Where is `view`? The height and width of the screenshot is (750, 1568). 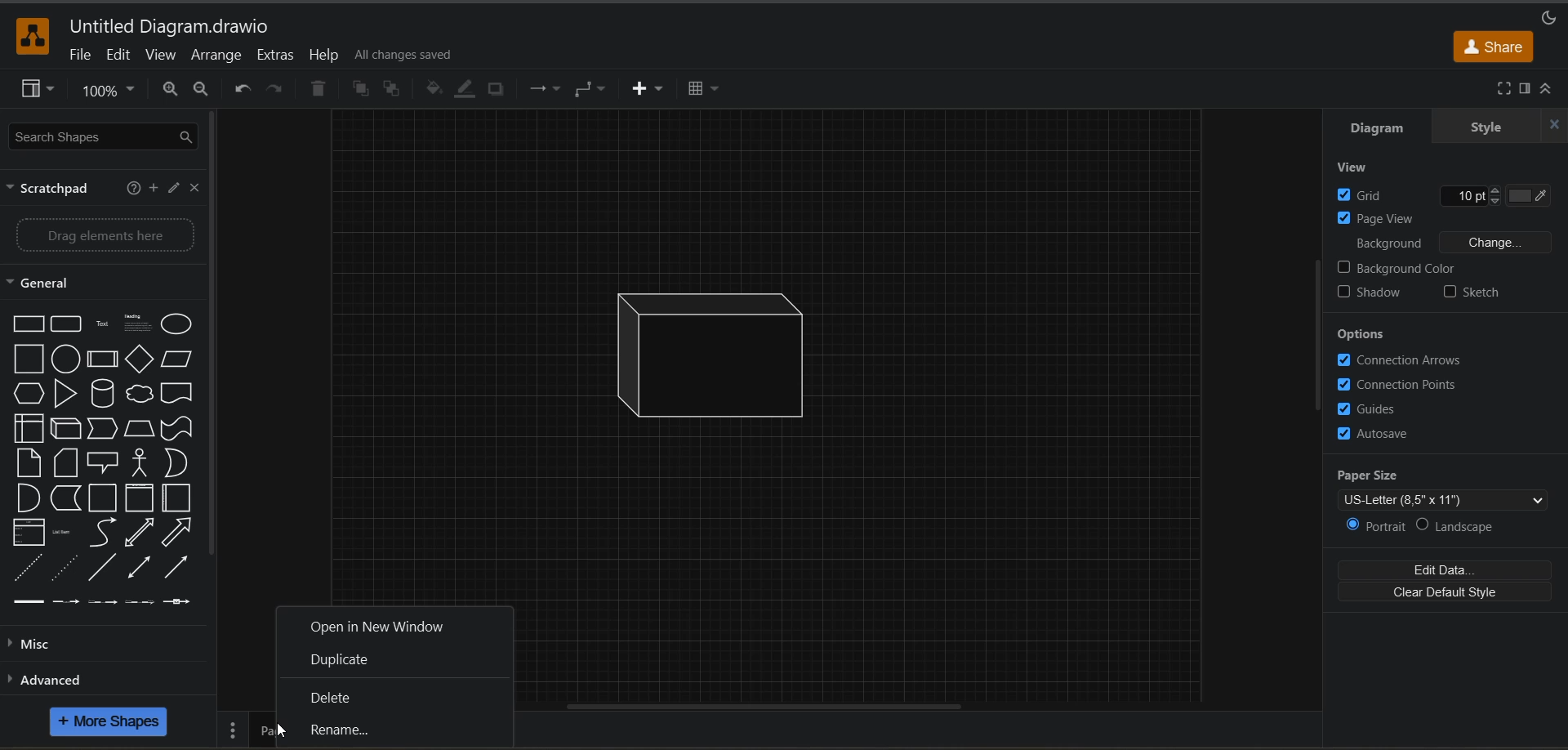
view is located at coordinates (161, 56).